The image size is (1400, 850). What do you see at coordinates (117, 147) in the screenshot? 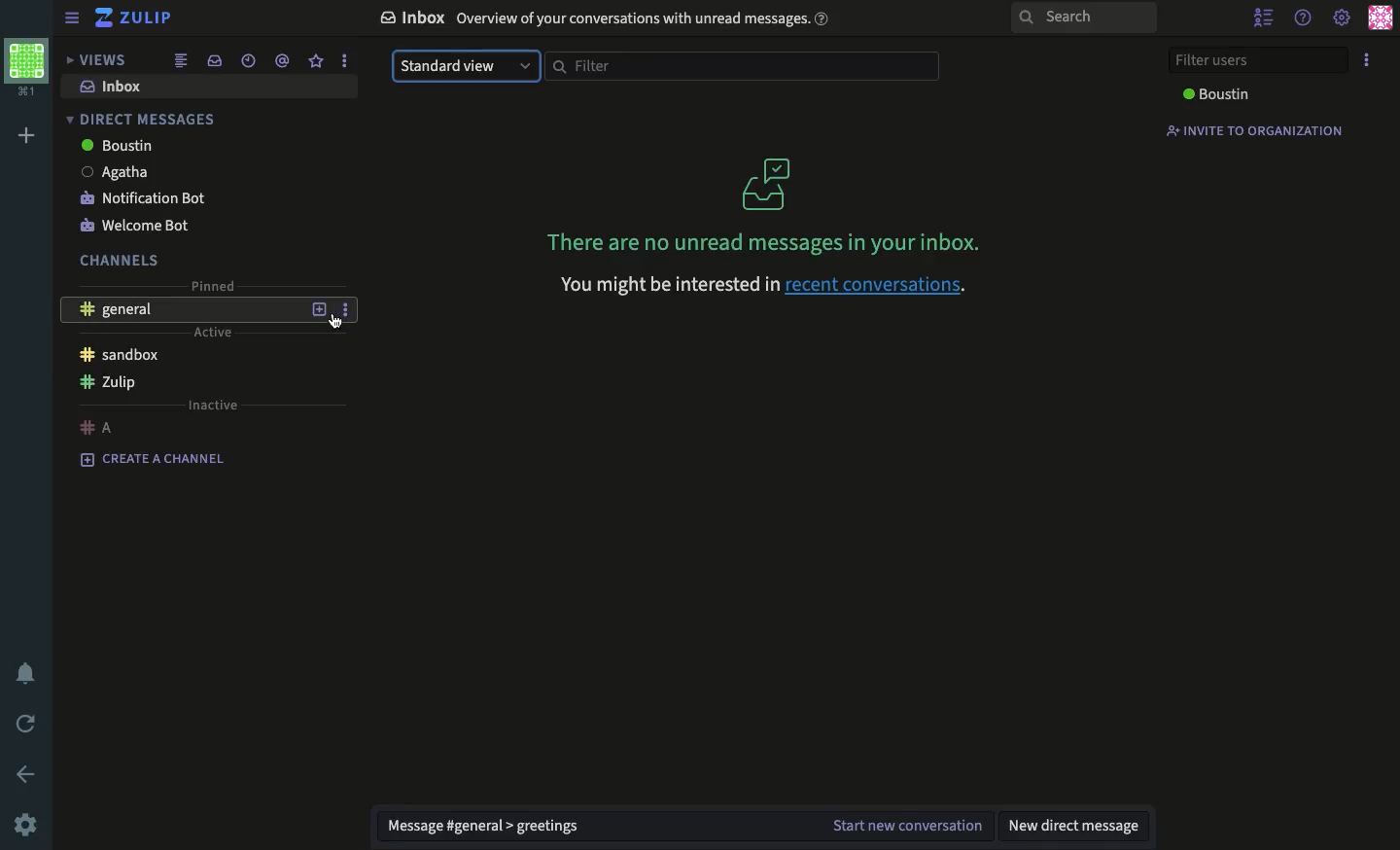
I see `boutsin` at bounding box center [117, 147].